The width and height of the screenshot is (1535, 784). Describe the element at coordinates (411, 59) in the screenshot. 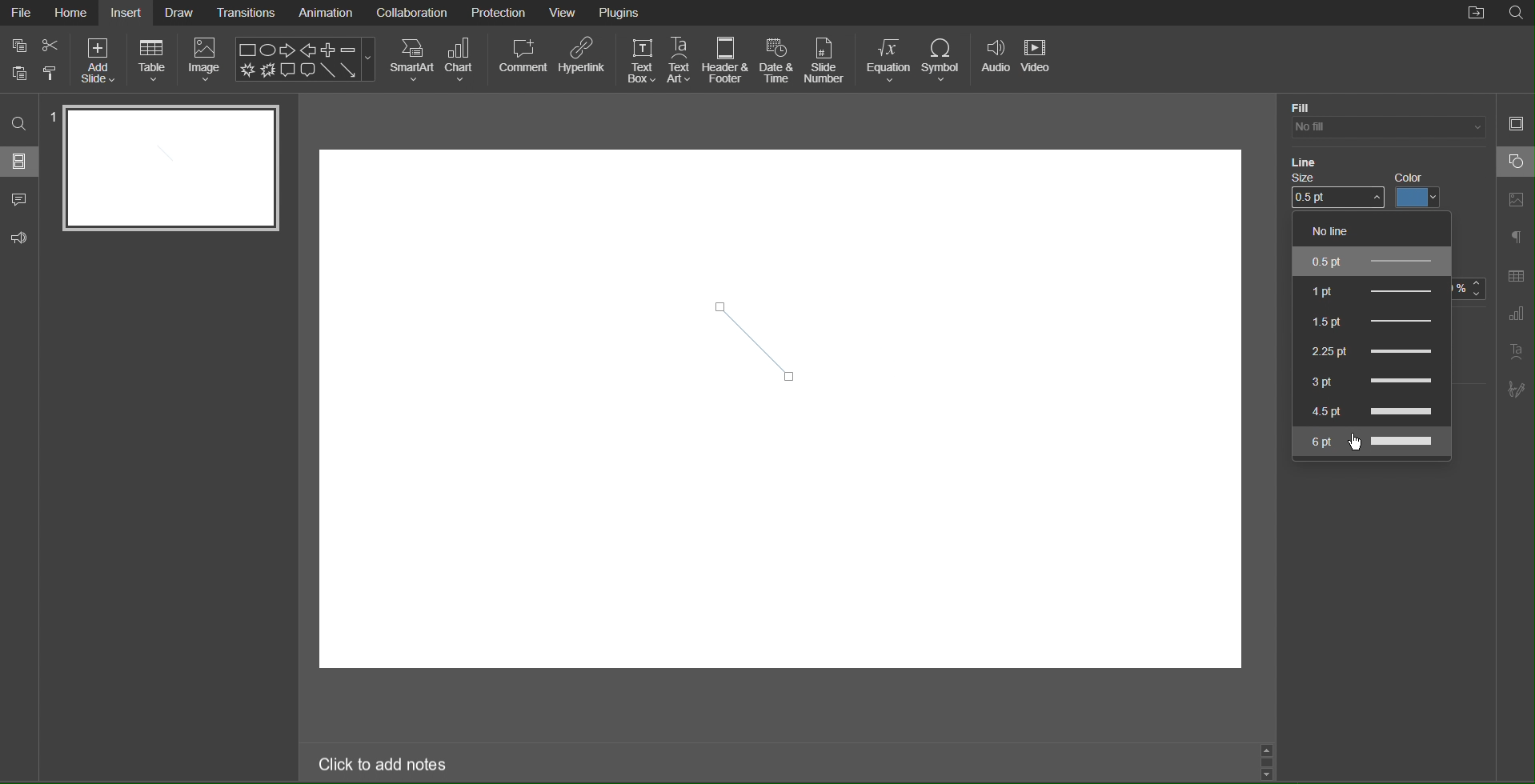

I see `SmartArt` at that location.